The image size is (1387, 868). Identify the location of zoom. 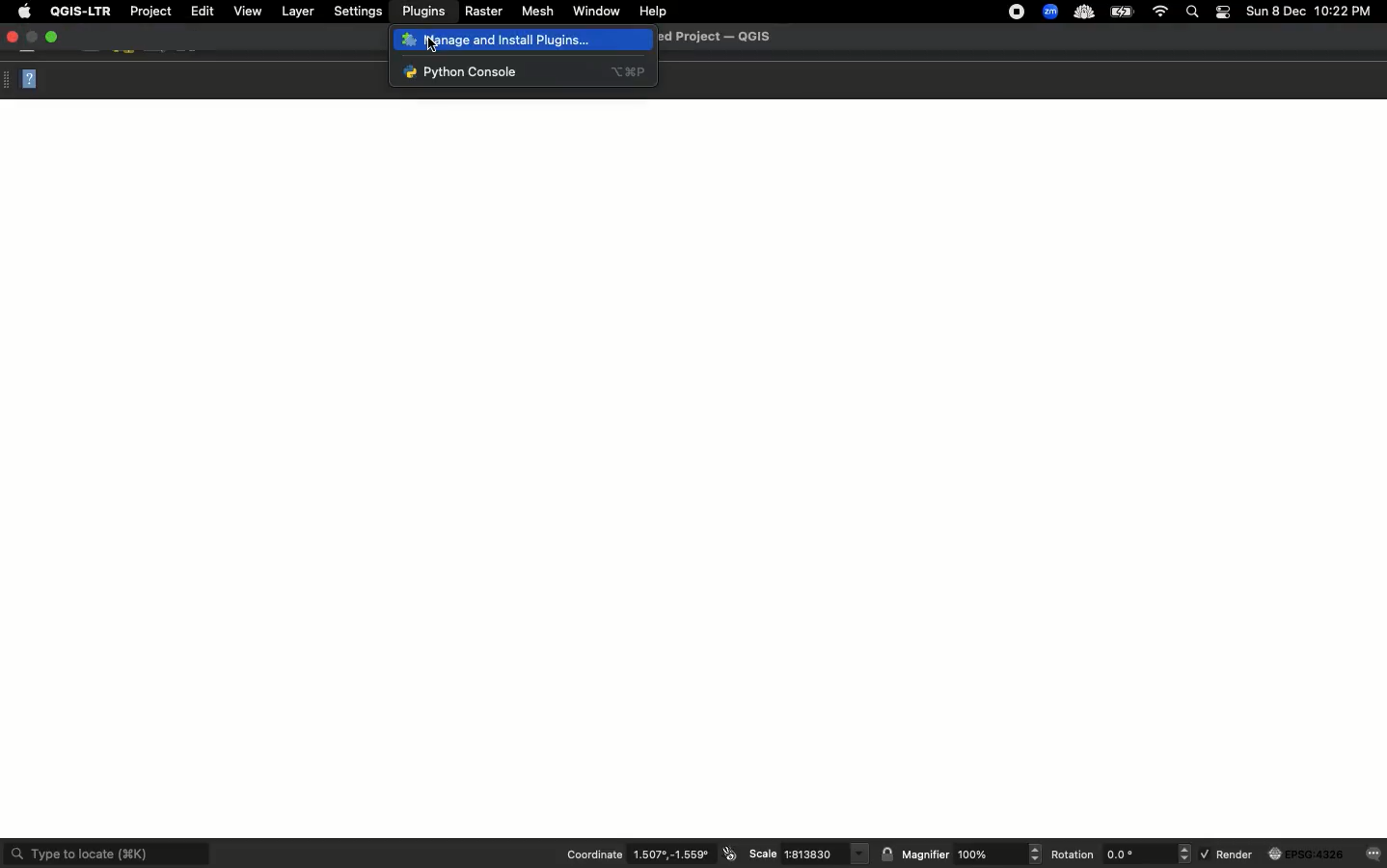
(1050, 11).